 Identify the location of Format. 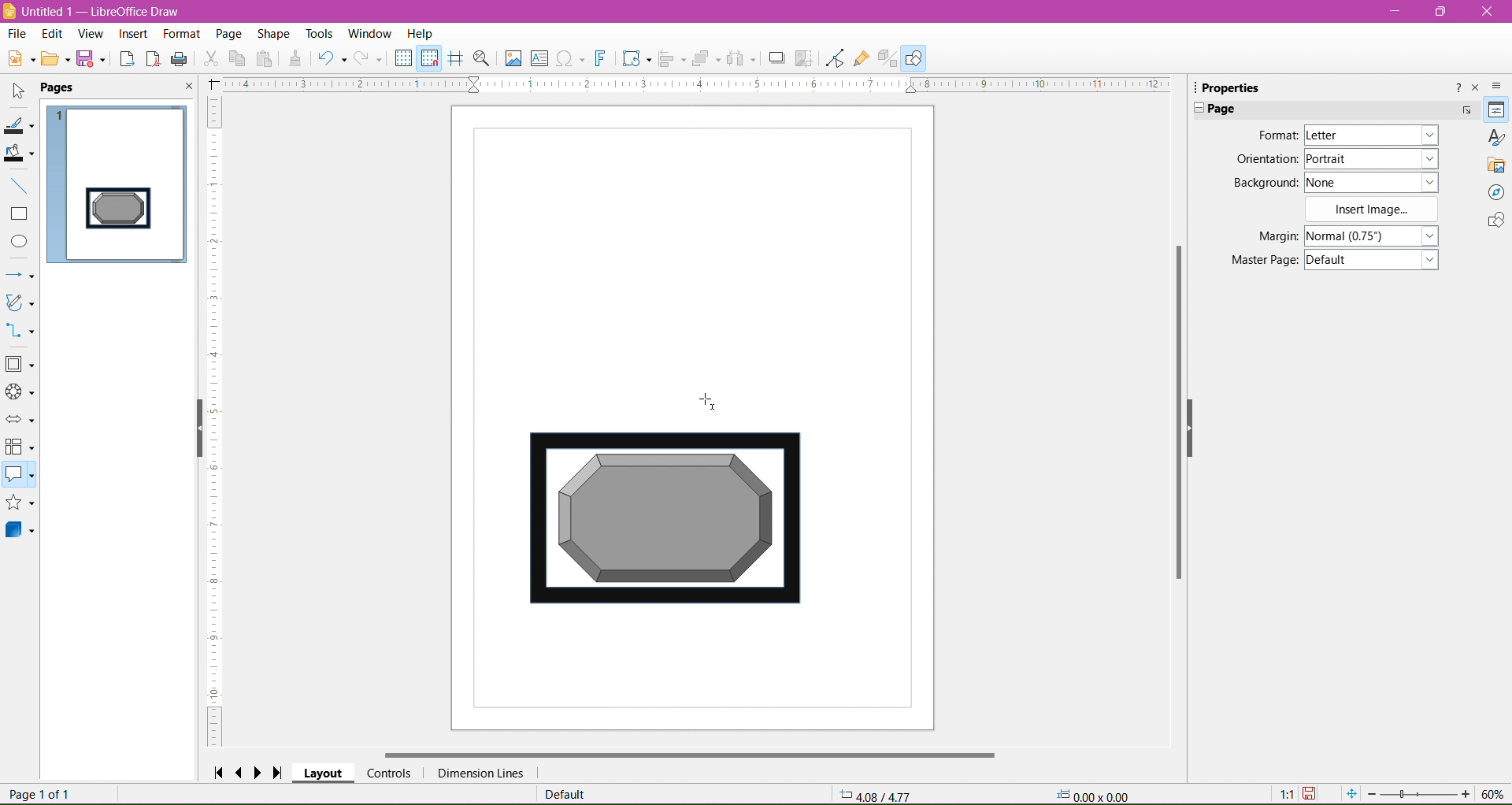
(1275, 135).